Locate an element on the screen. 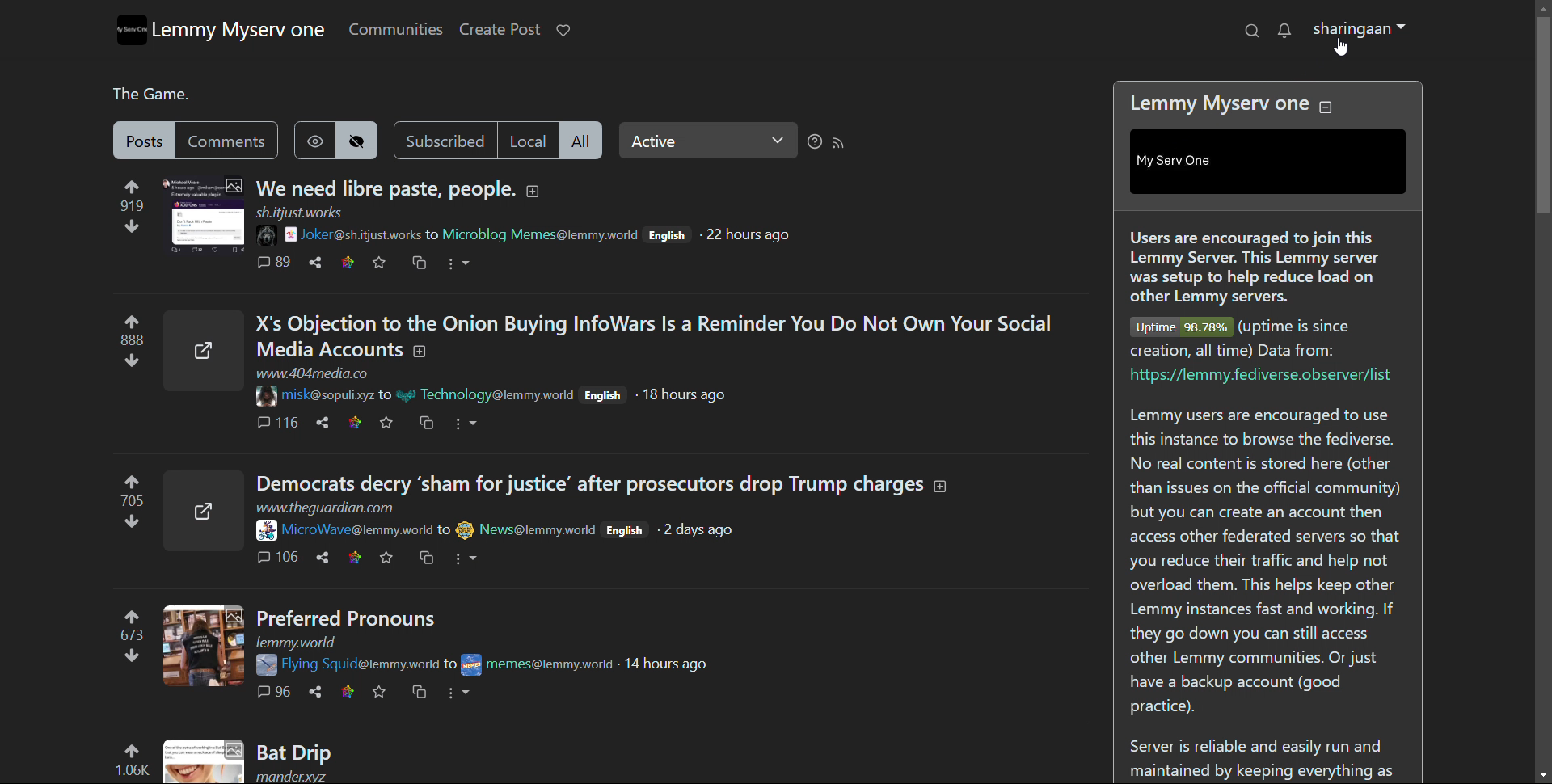  89 comments is located at coordinates (272, 264).